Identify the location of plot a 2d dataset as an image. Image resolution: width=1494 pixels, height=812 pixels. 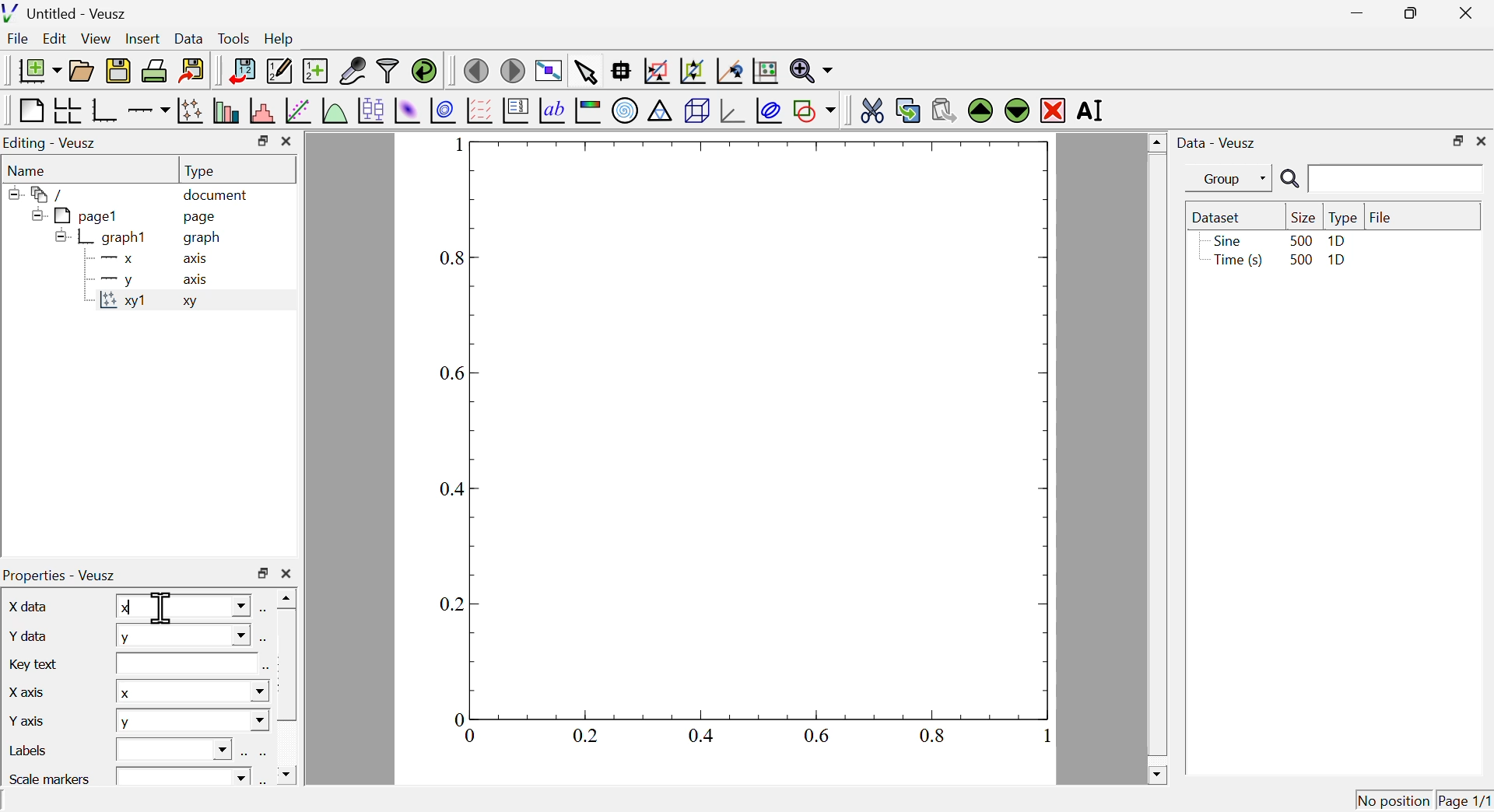
(408, 110).